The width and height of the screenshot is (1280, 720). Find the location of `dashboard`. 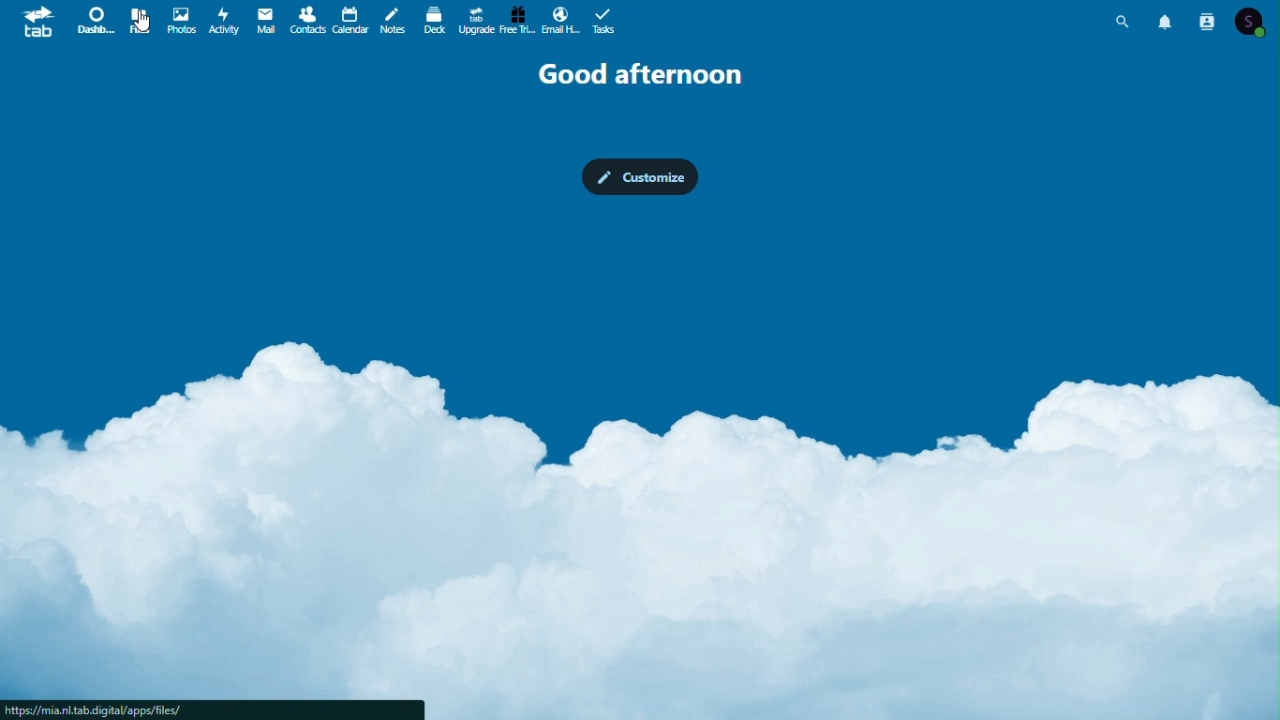

dashboard is located at coordinates (89, 20).